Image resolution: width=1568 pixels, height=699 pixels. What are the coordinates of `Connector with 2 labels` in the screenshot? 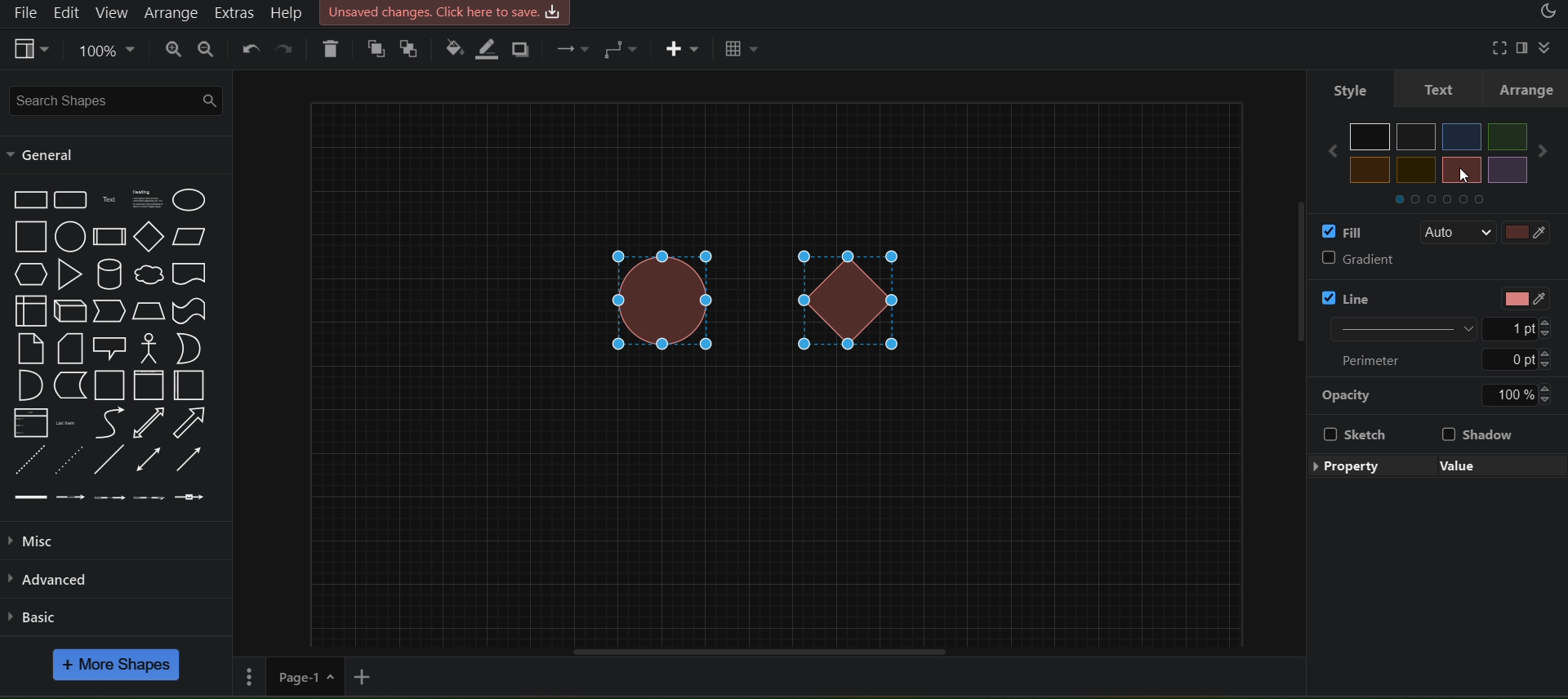 It's located at (109, 497).